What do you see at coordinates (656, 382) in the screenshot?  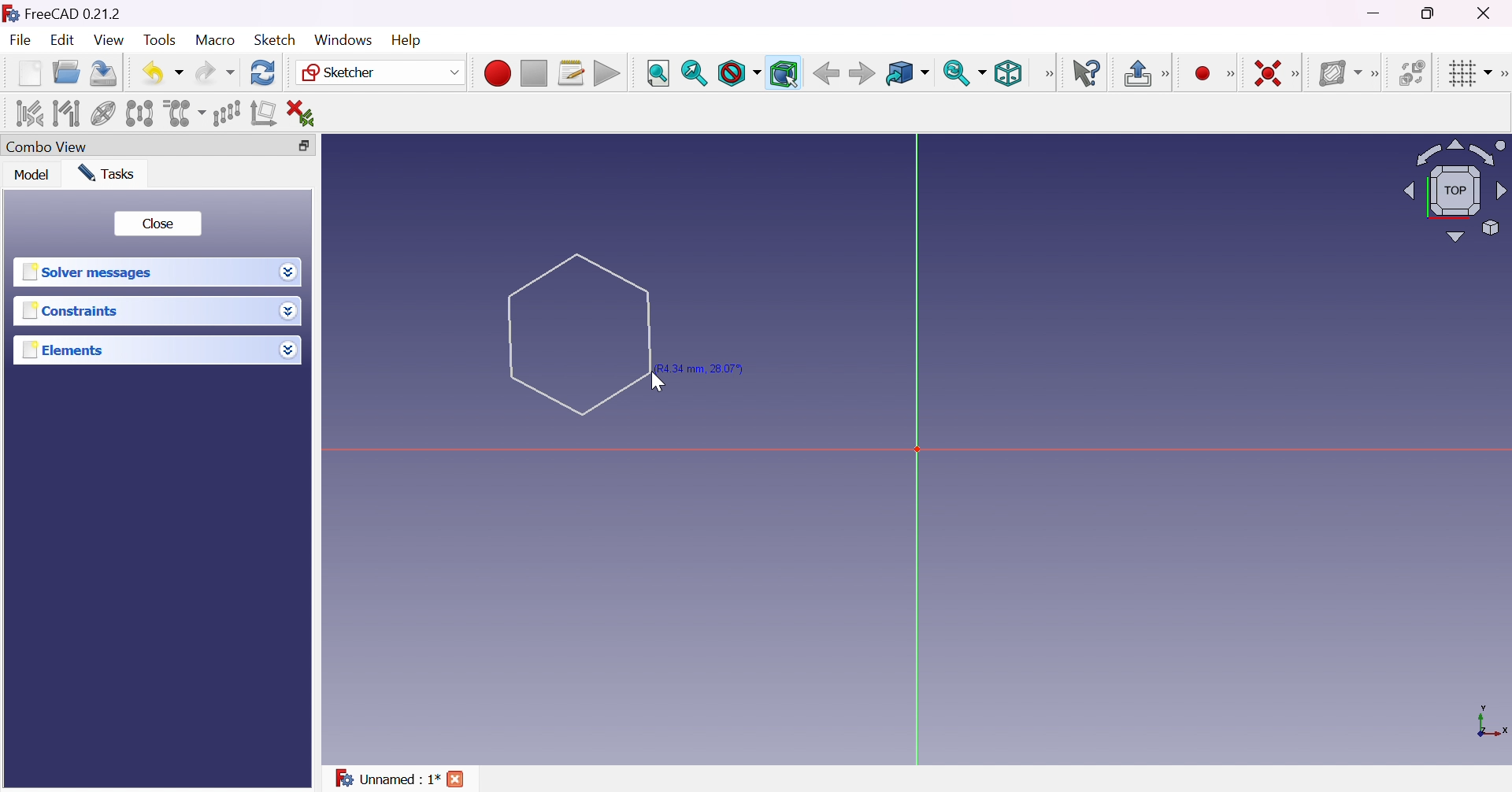 I see `Cursor` at bounding box center [656, 382].